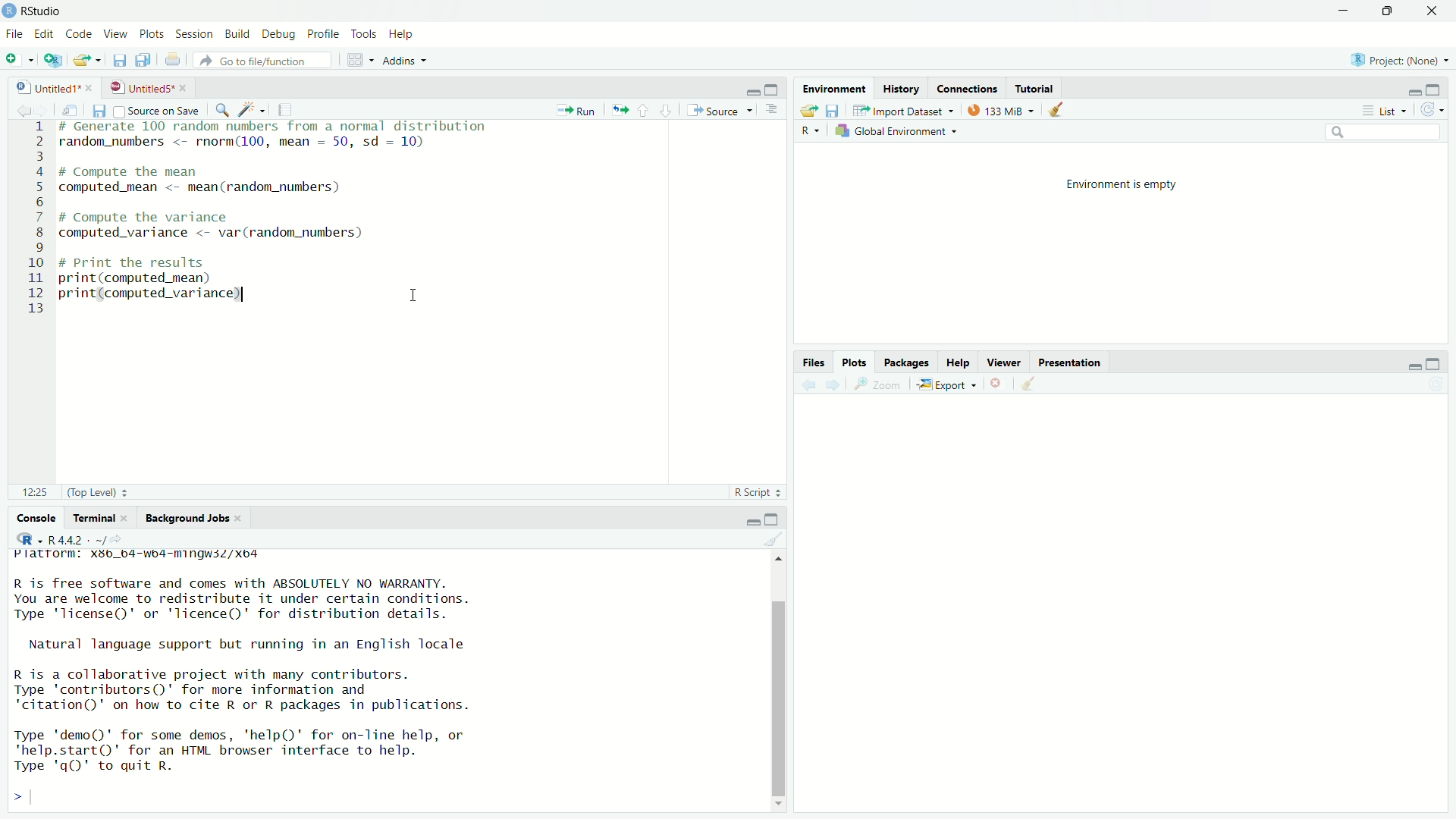  Describe the element at coordinates (237, 597) in the screenshot. I see `R is free software and comes with ABSOLUTELY NO WARRANTY.
You are welcome to redistribute it under certain conditions.
Type "license" or 'licence()' for distribution details.` at that location.